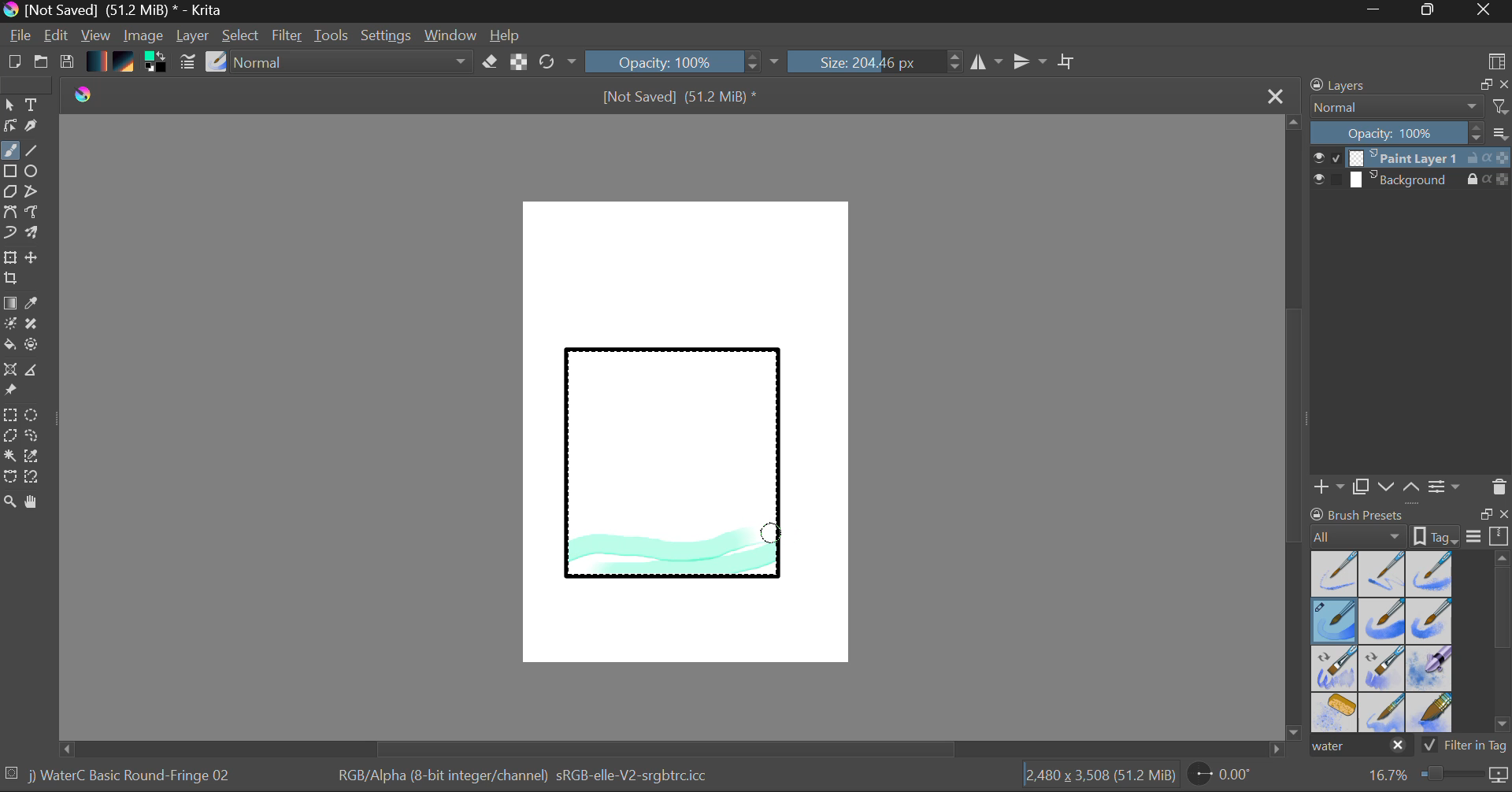  What do you see at coordinates (35, 416) in the screenshot?
I see `Elipses Selection tool` at bounding box center [35, 416].